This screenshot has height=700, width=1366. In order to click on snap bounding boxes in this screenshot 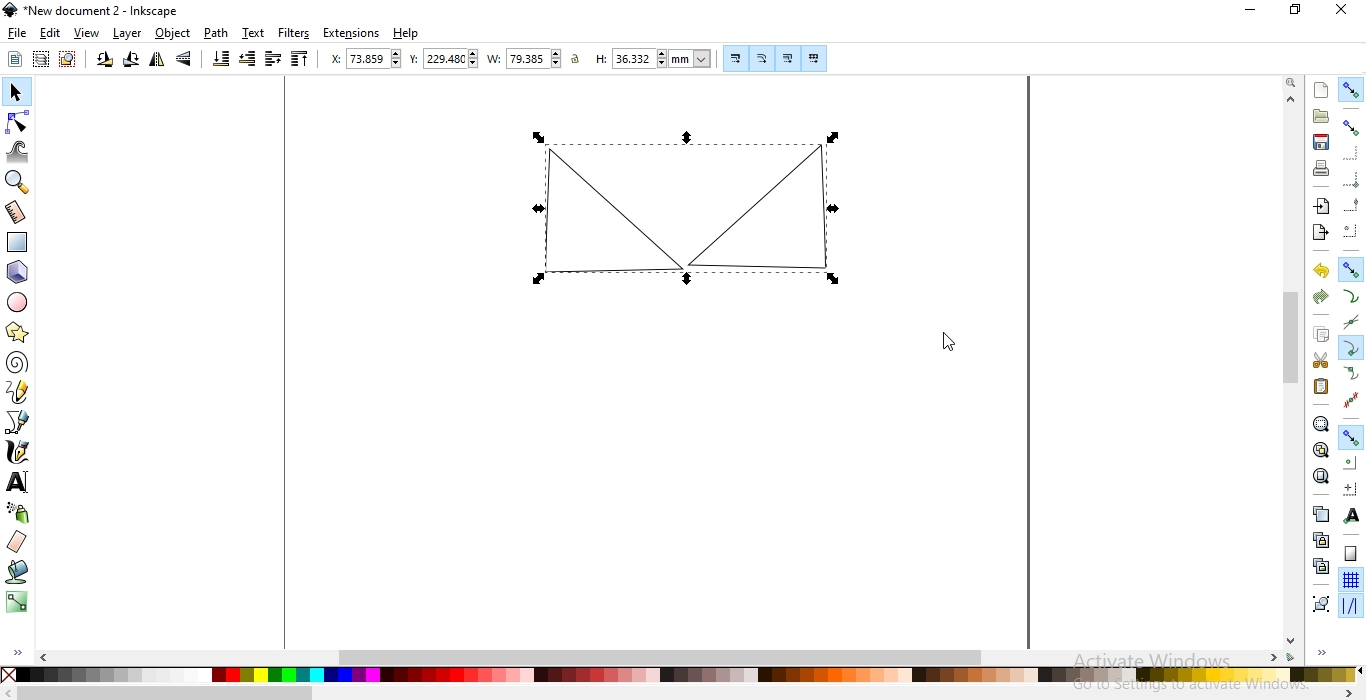, I will do `click(1352, 128)`.